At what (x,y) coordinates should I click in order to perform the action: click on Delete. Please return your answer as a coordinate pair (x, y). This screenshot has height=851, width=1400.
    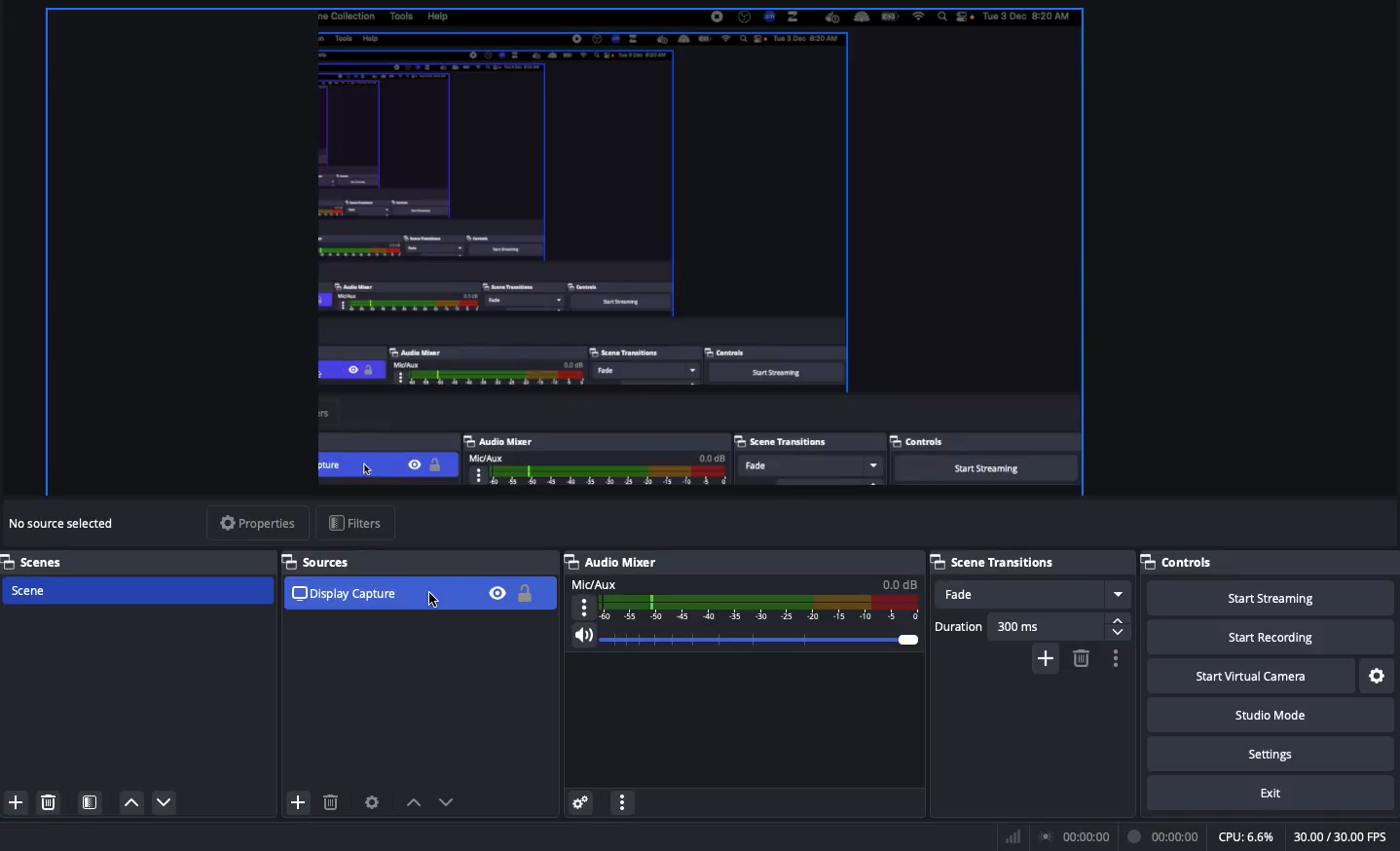
    Looking at the image, I should click on (49, 803).